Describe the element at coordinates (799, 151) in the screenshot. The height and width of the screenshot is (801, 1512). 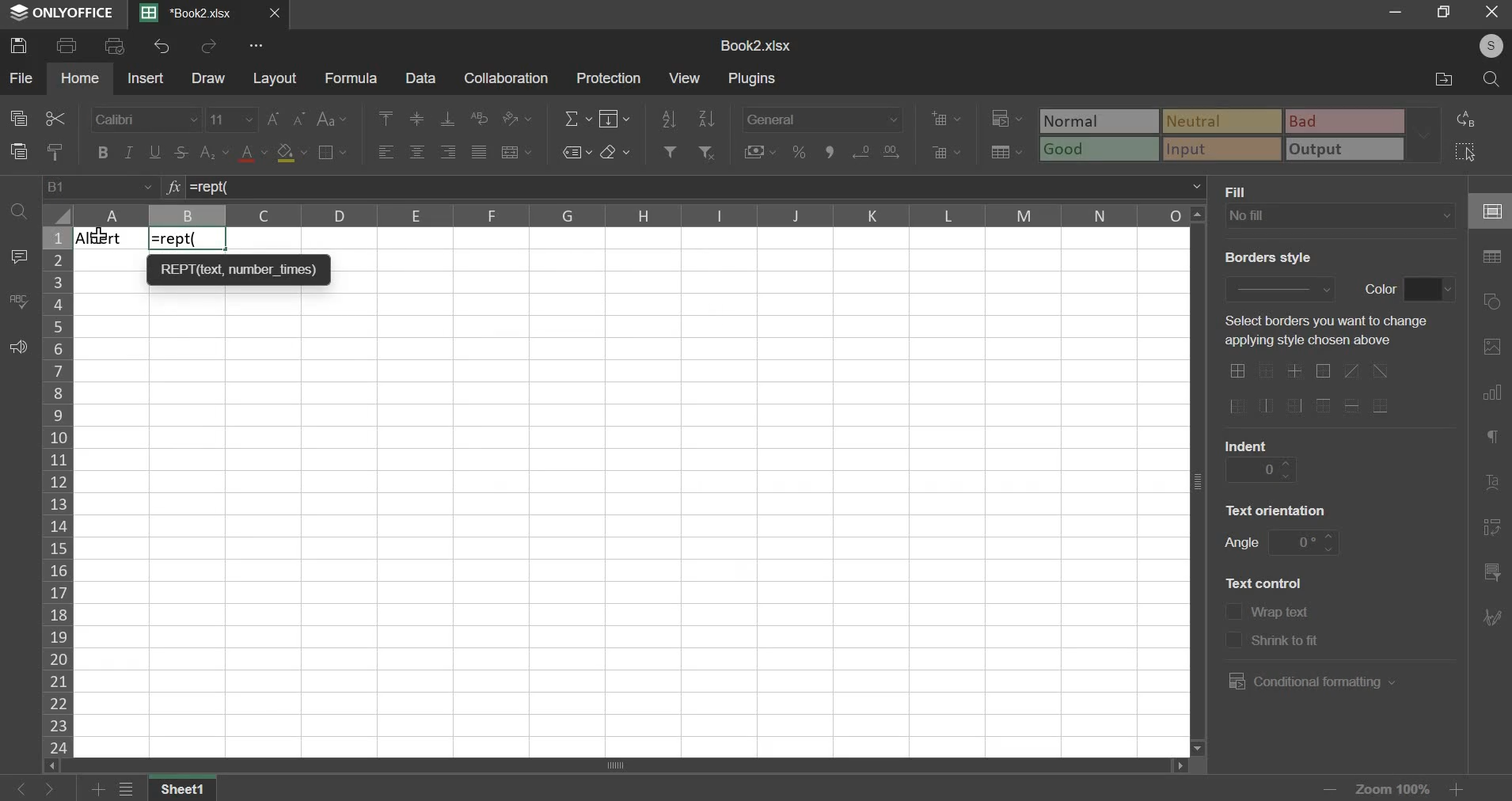
I see `percentage` at that location.